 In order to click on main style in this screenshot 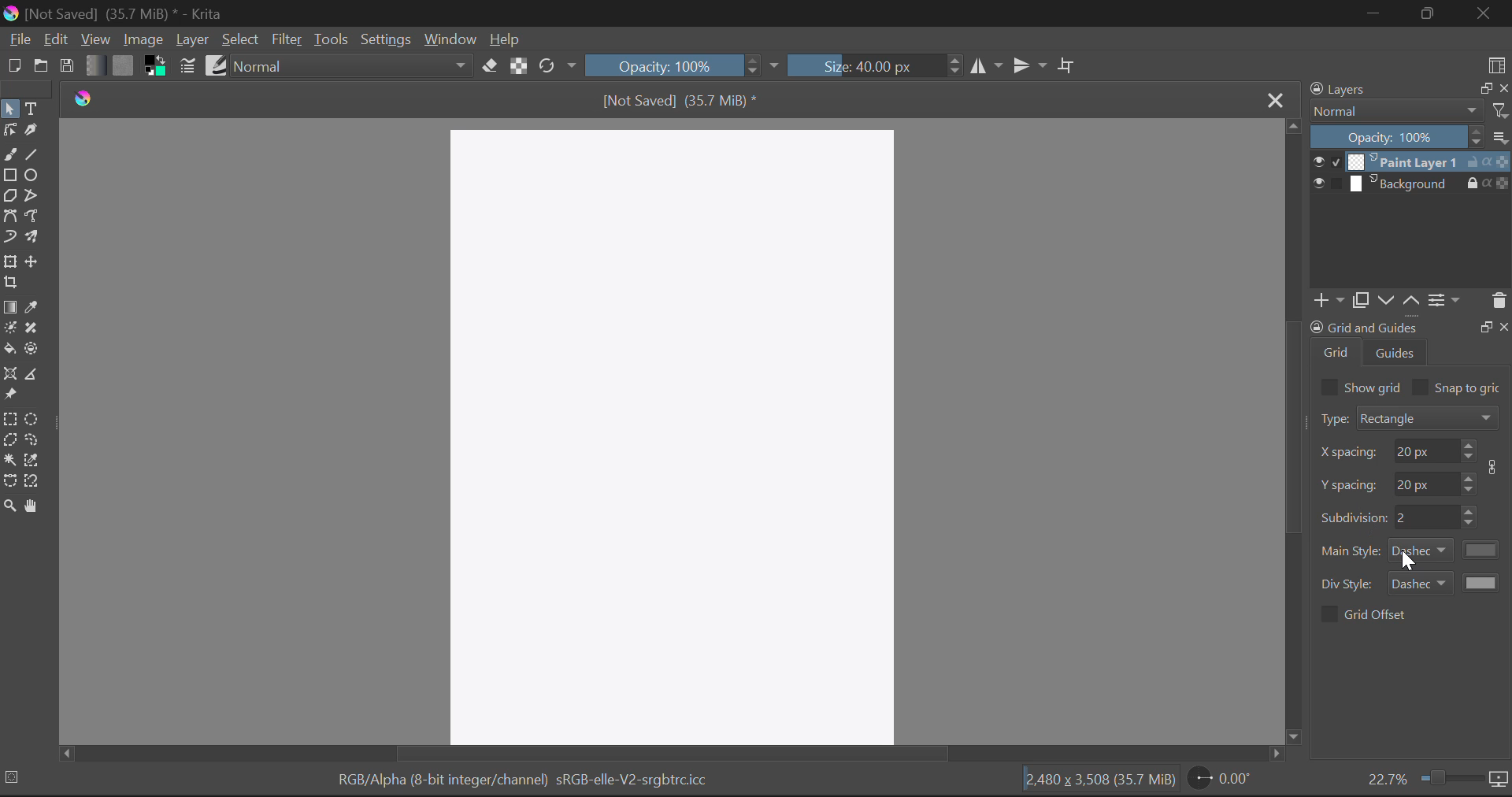, I will do `click(1351, 551)`.